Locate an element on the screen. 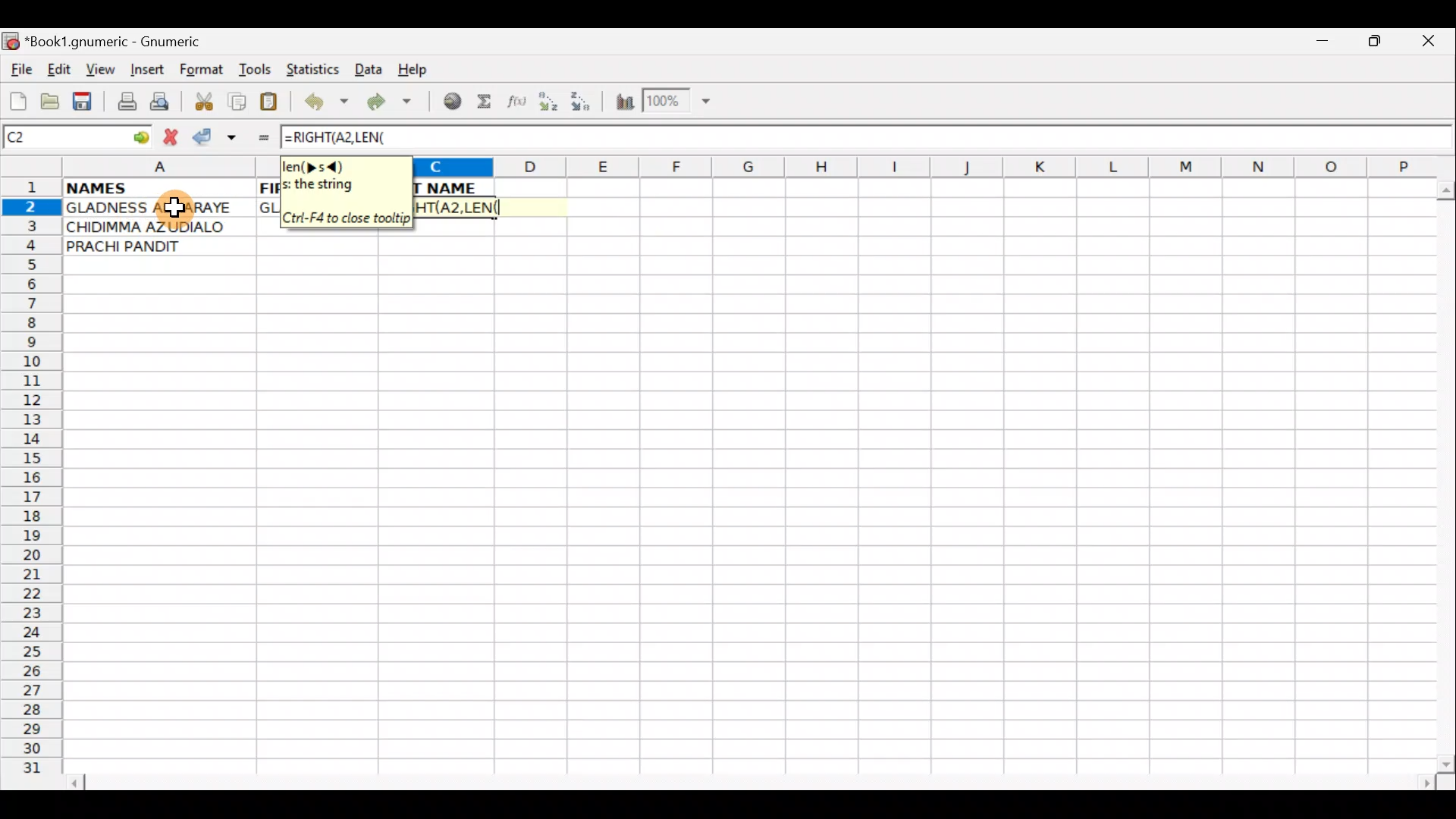 Image resolution: width=1456 pixels, height=819 pixels. Gnumeric logo is located at coordinates (11, 42).